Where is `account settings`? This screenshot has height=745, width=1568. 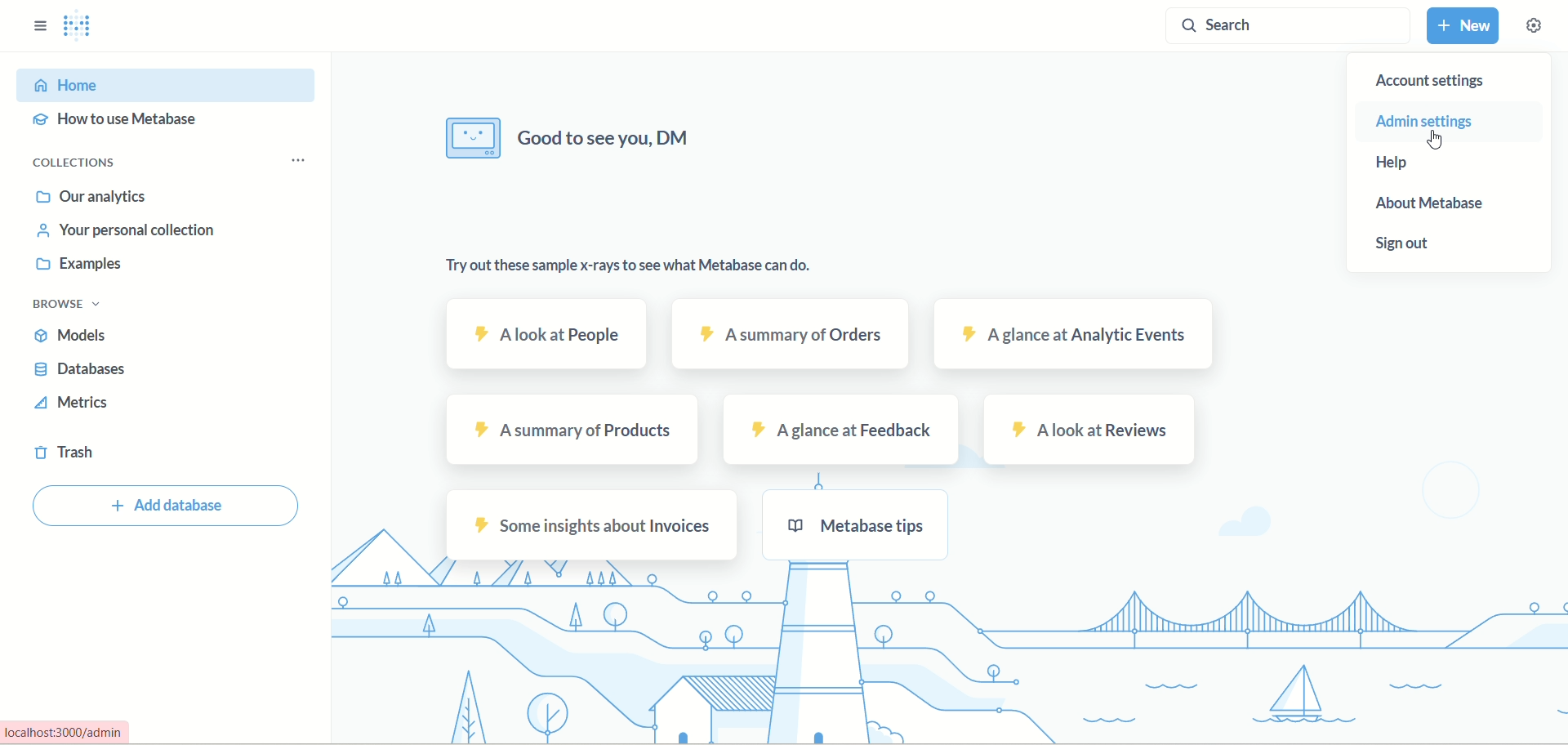
account settings is located at coordinates (1433, 82).